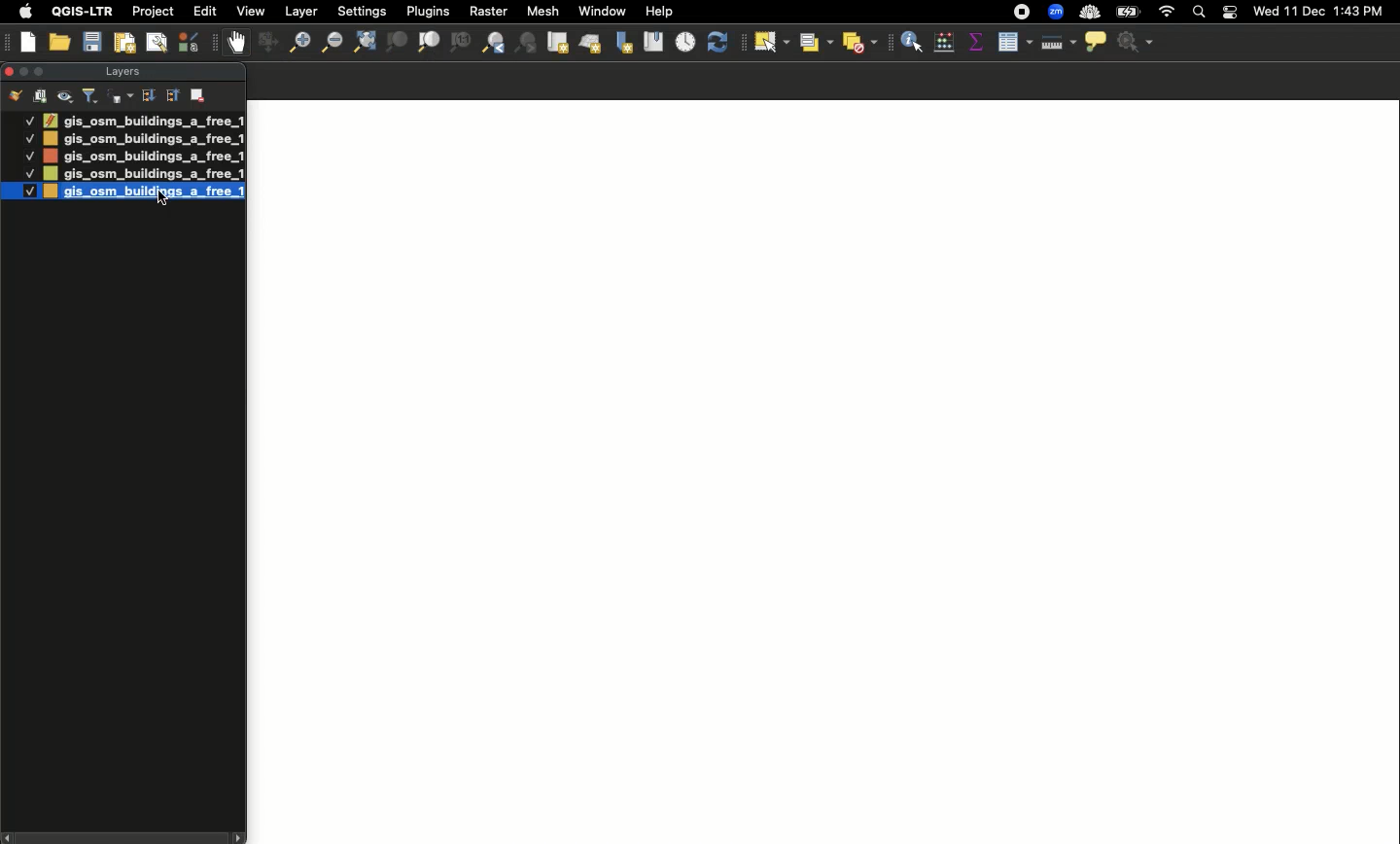  Describe the element at coordinates (92, 43) in the screenshot. I see `Save` at that location.